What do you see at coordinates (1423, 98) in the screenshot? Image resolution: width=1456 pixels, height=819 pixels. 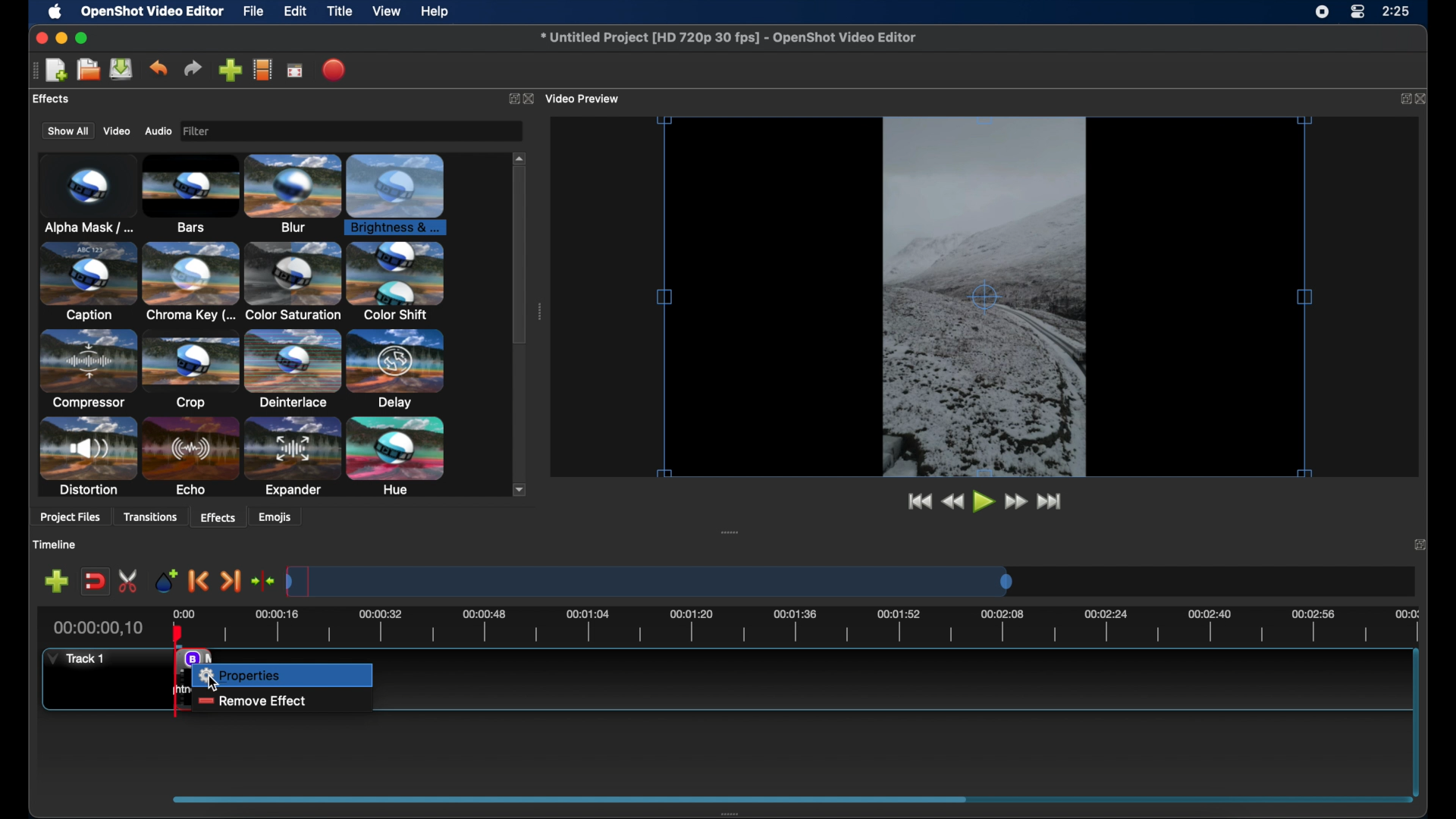 I see `close` at bounding box center [1423, 98].